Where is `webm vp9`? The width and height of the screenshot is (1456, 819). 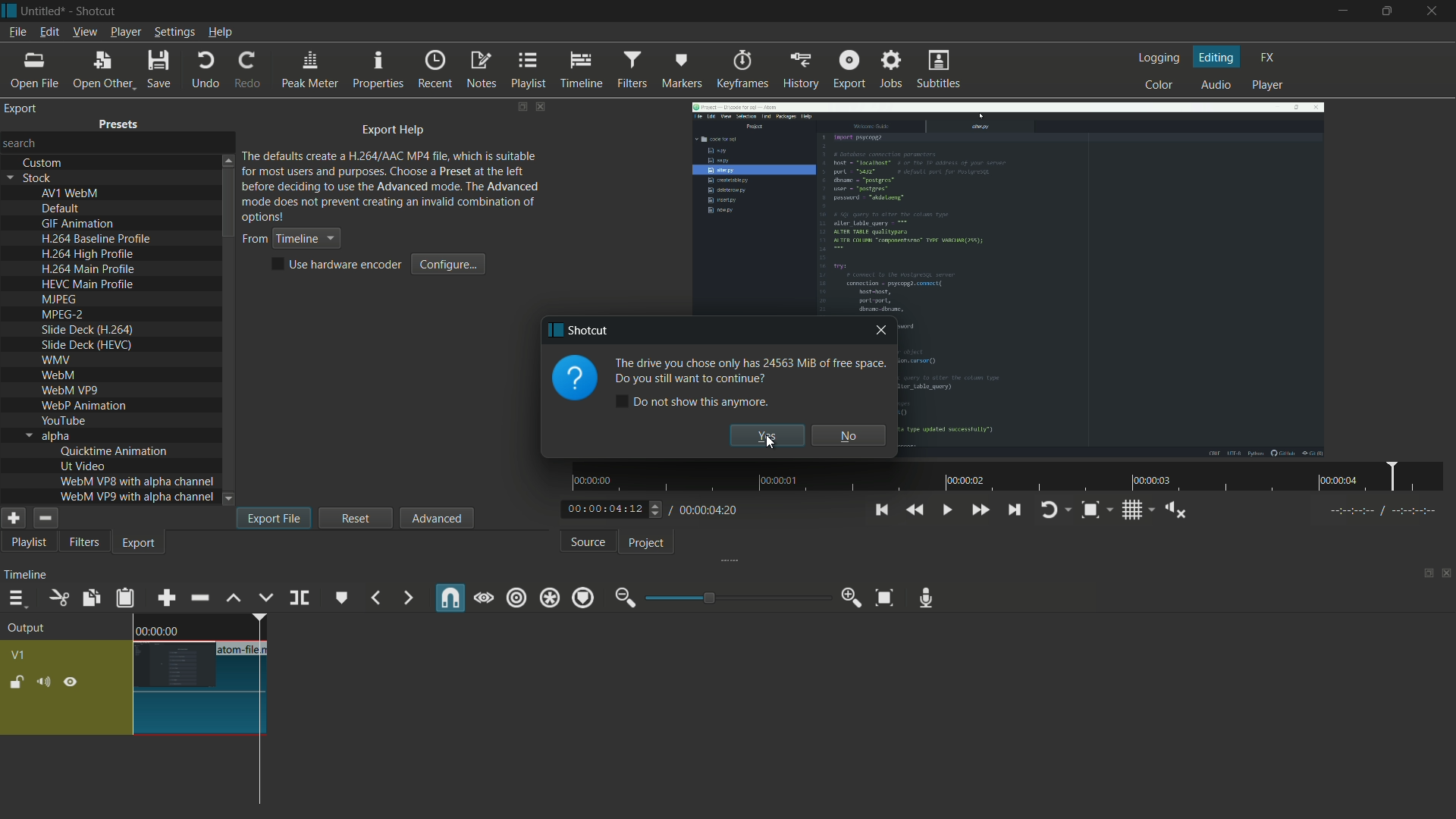
webm vp9 is located at coordinates (69, 391).